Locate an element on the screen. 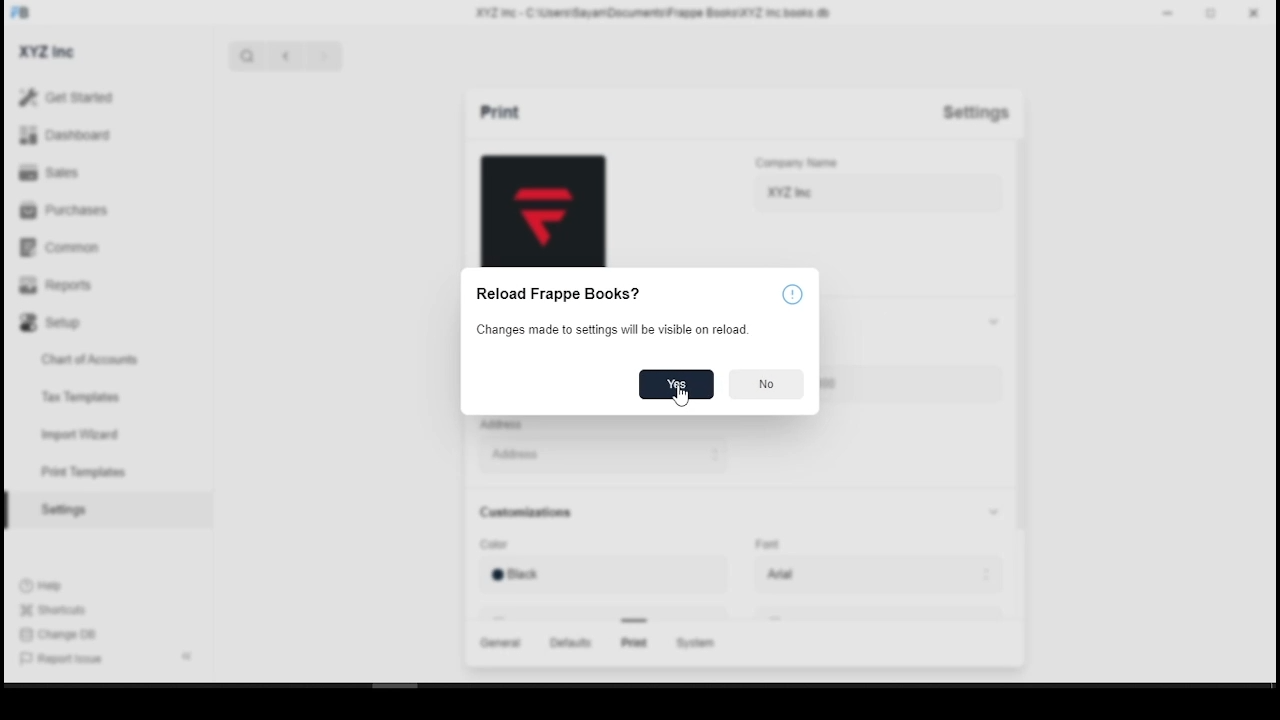  mouse pointer is located at coordinates (679, 399).